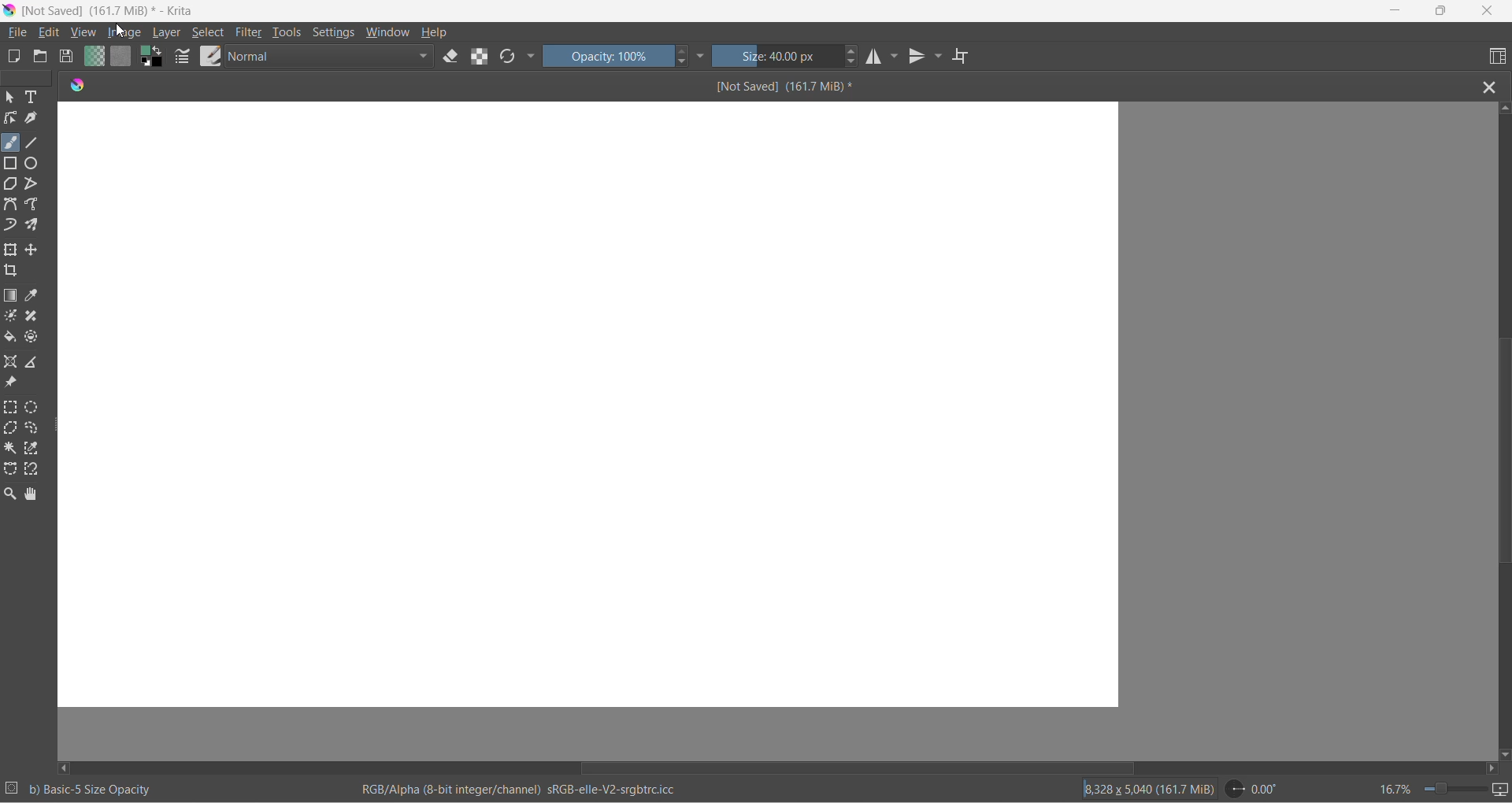  I want to click on rgb information, so click(527, 790).